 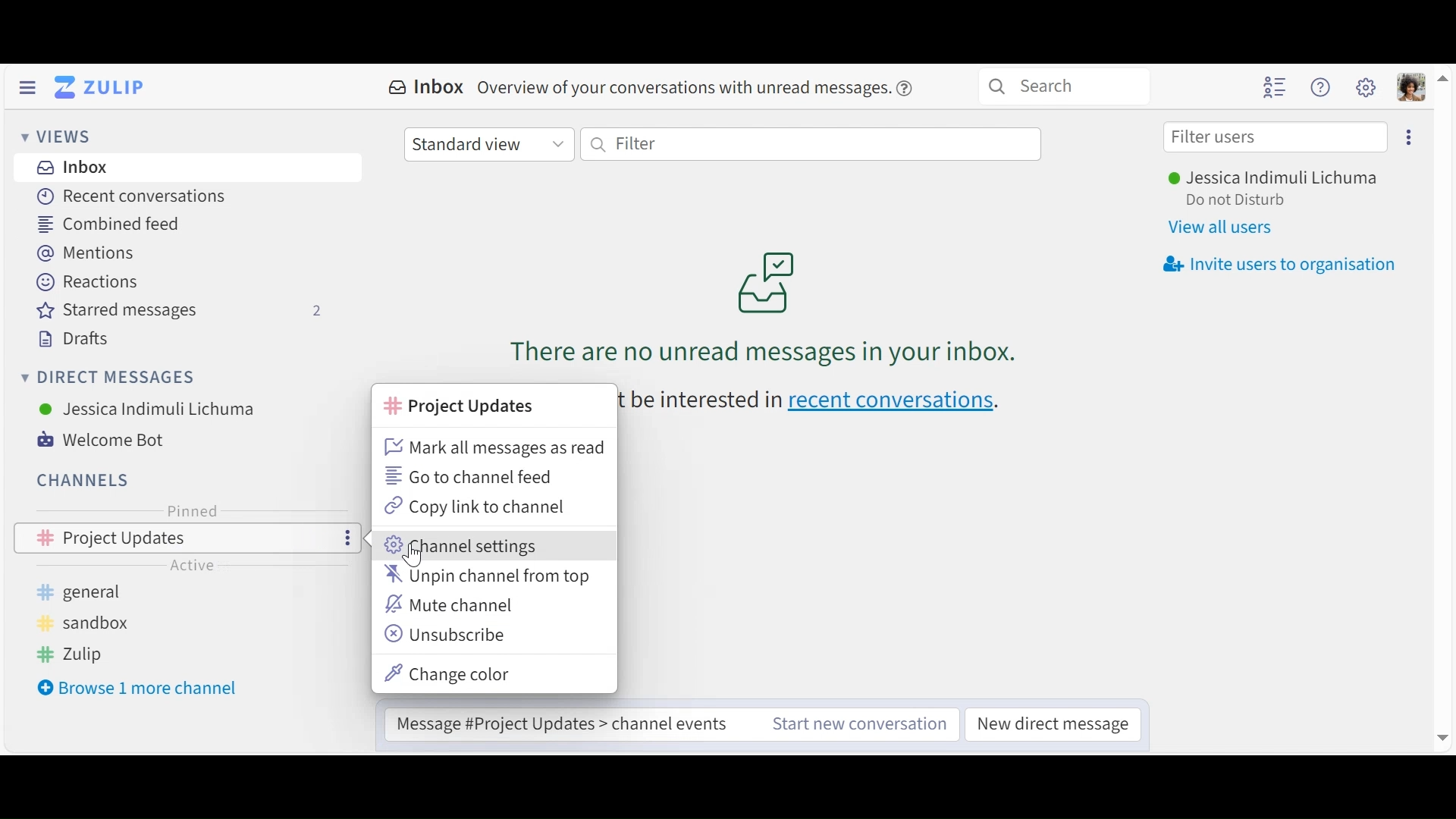 What do you see at coordinates (651, 88) in the screenshot?
I see `Inbox` at bounding box center [651, 88].